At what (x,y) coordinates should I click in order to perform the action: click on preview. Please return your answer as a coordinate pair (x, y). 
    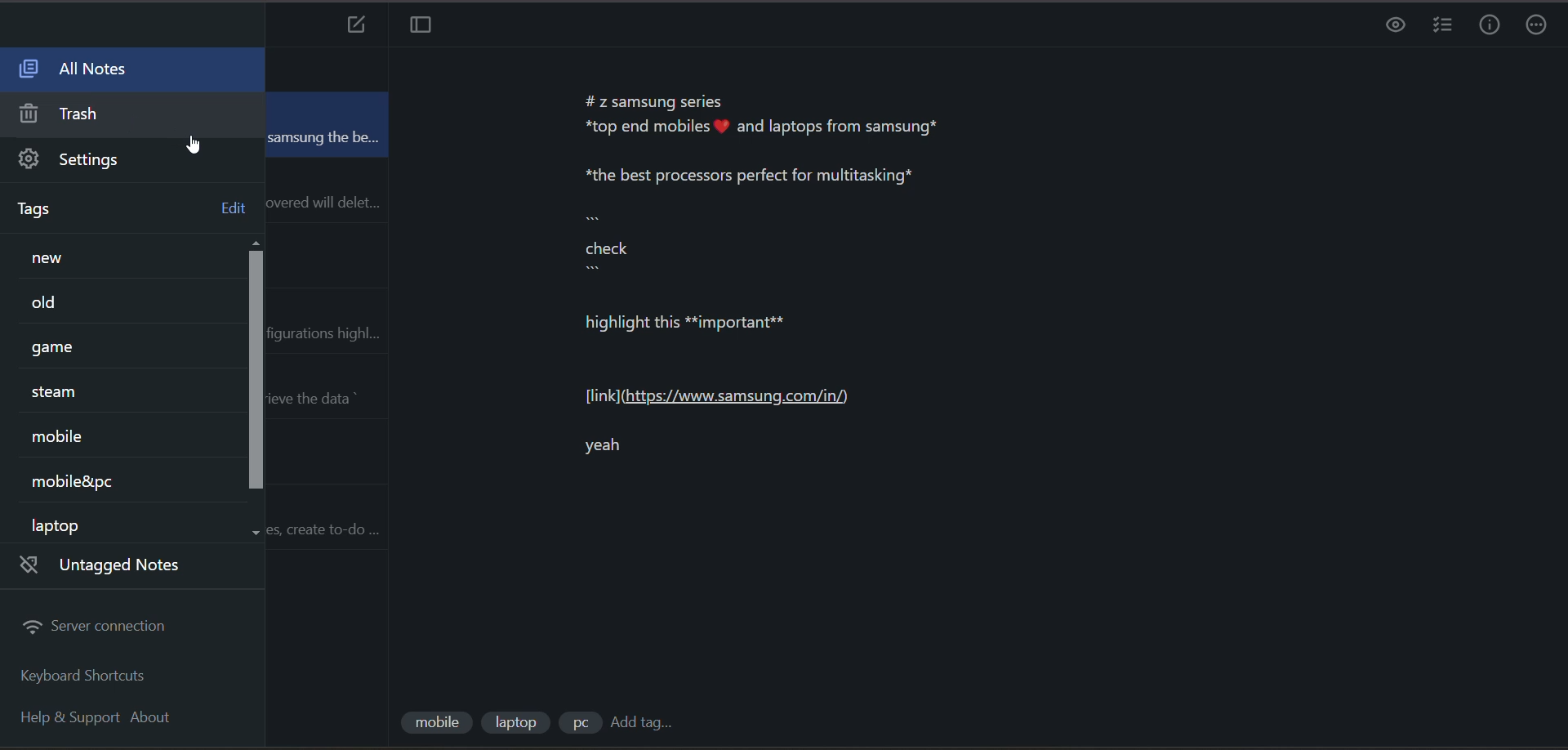
    Looking at the image, I should click on (1394, 26).